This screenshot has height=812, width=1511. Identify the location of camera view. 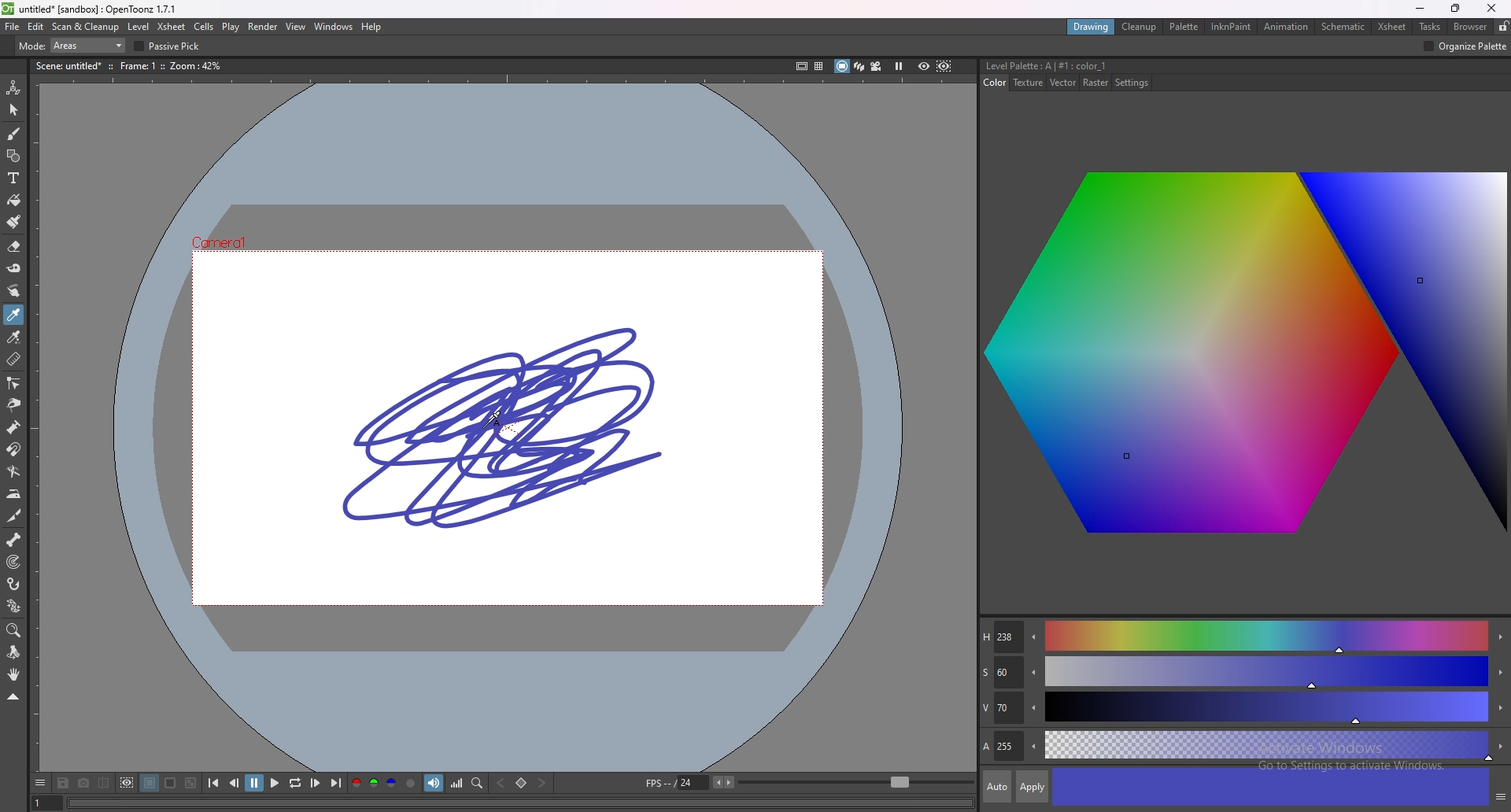
(875, 66).